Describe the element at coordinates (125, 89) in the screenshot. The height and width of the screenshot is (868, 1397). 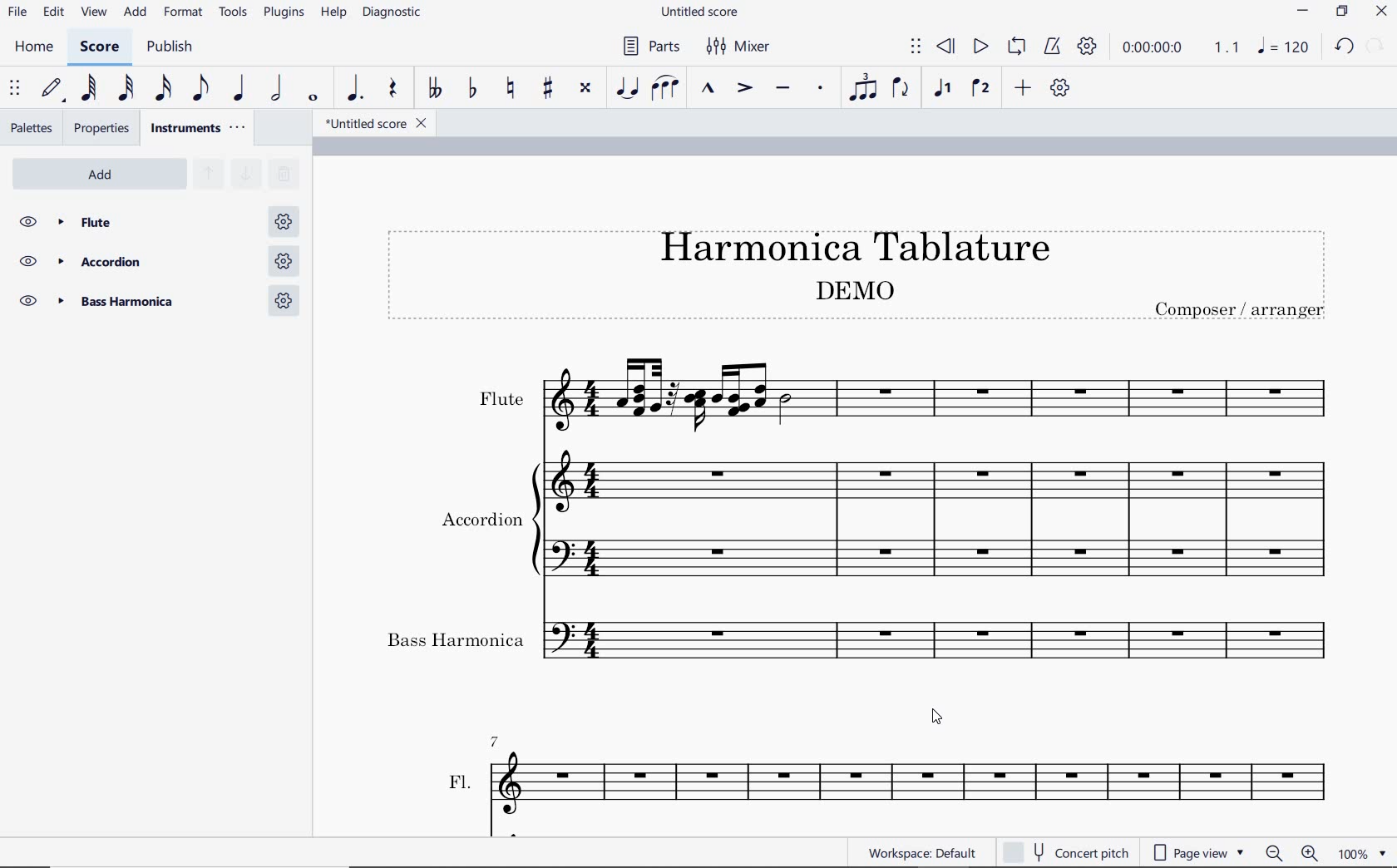
I see `32nd note` at that location.